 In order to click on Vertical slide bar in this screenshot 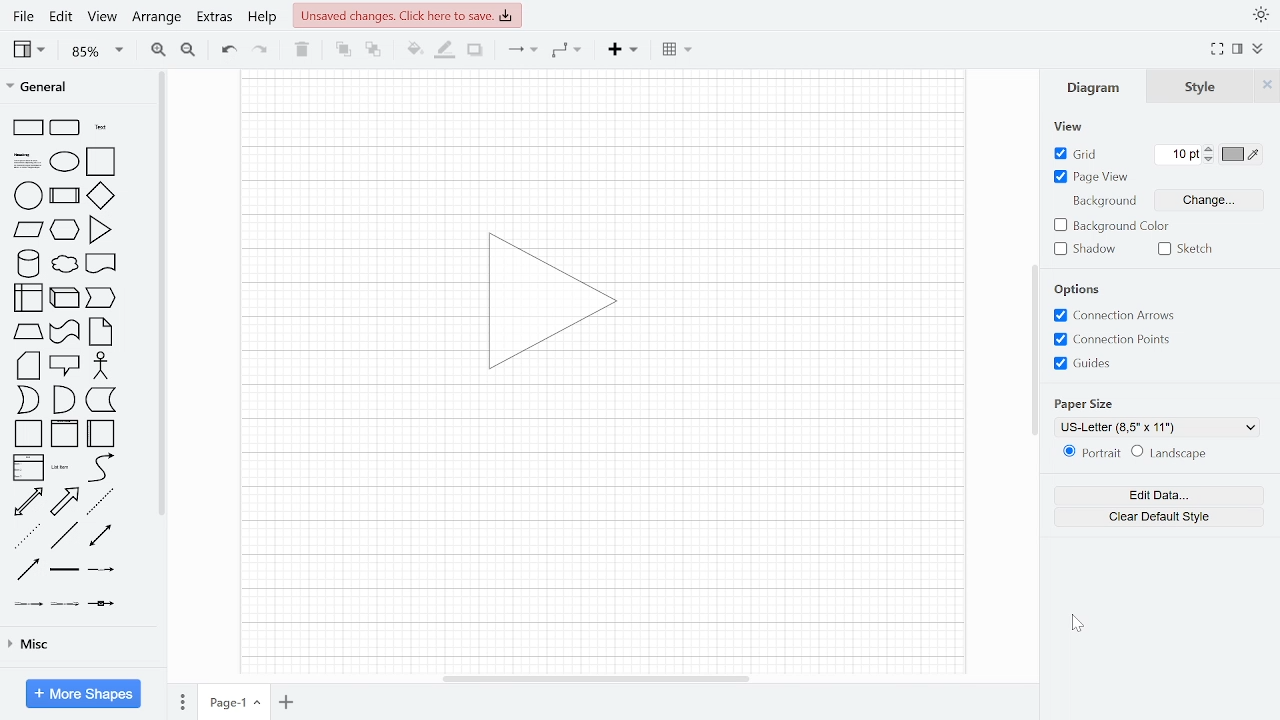, I will do `click(1035, 349)`.